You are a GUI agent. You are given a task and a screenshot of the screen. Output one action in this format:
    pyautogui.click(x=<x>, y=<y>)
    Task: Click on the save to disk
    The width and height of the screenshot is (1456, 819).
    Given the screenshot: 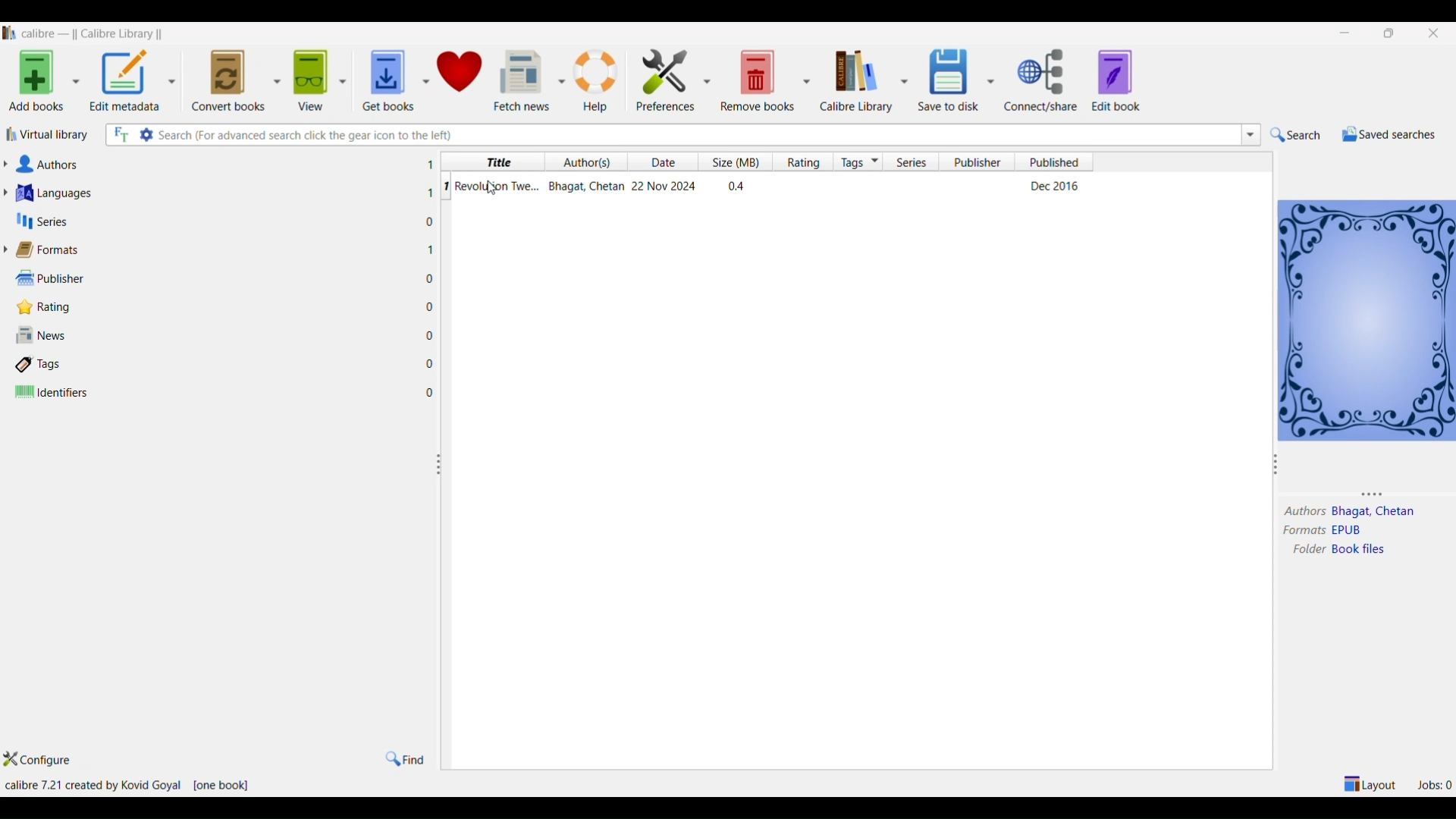 What is the action you would take?
    pyautogui.click(x=946, y=76)
    